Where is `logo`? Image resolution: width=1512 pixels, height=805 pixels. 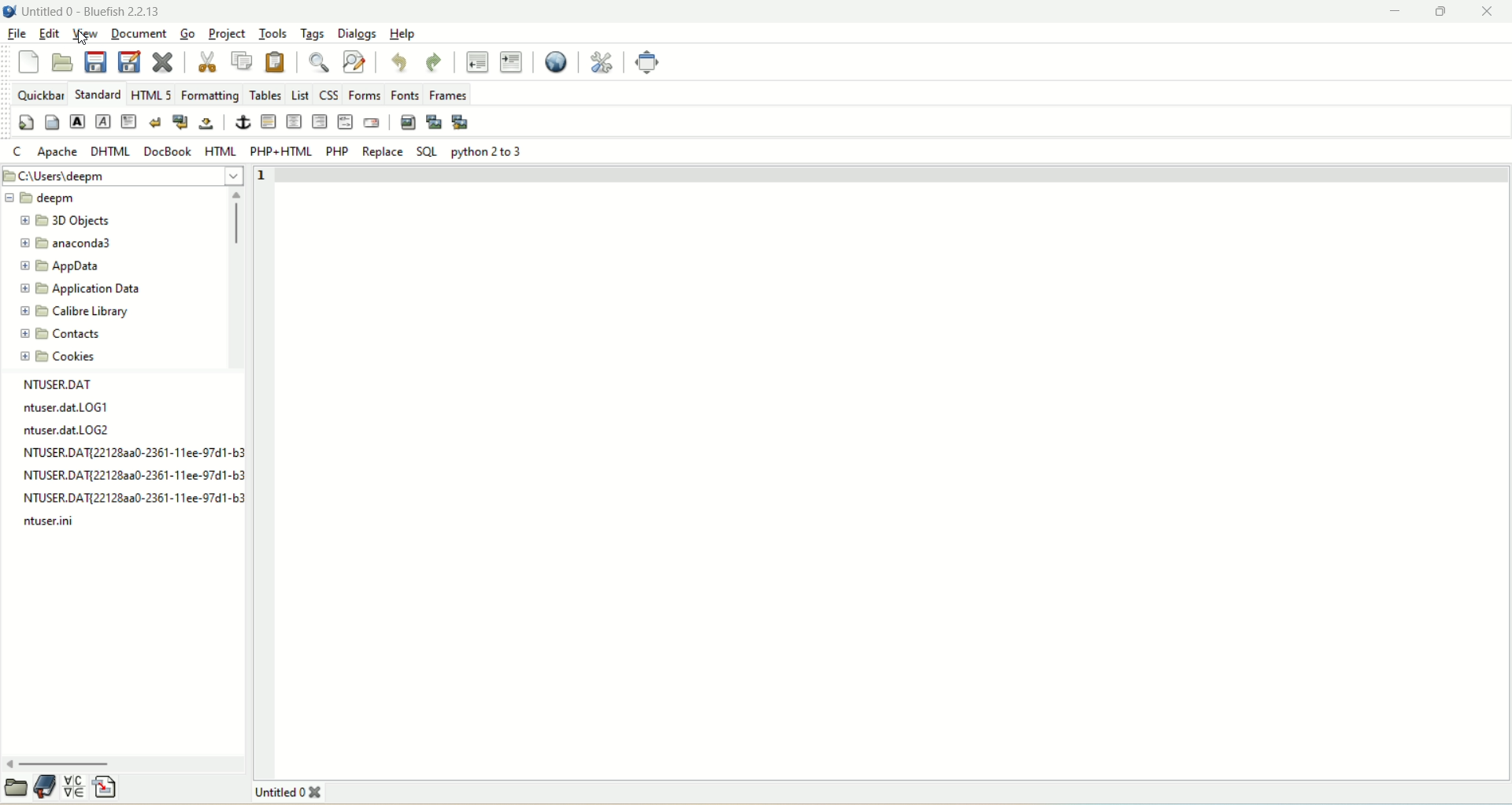
logo is located at coordinates (9, 12).